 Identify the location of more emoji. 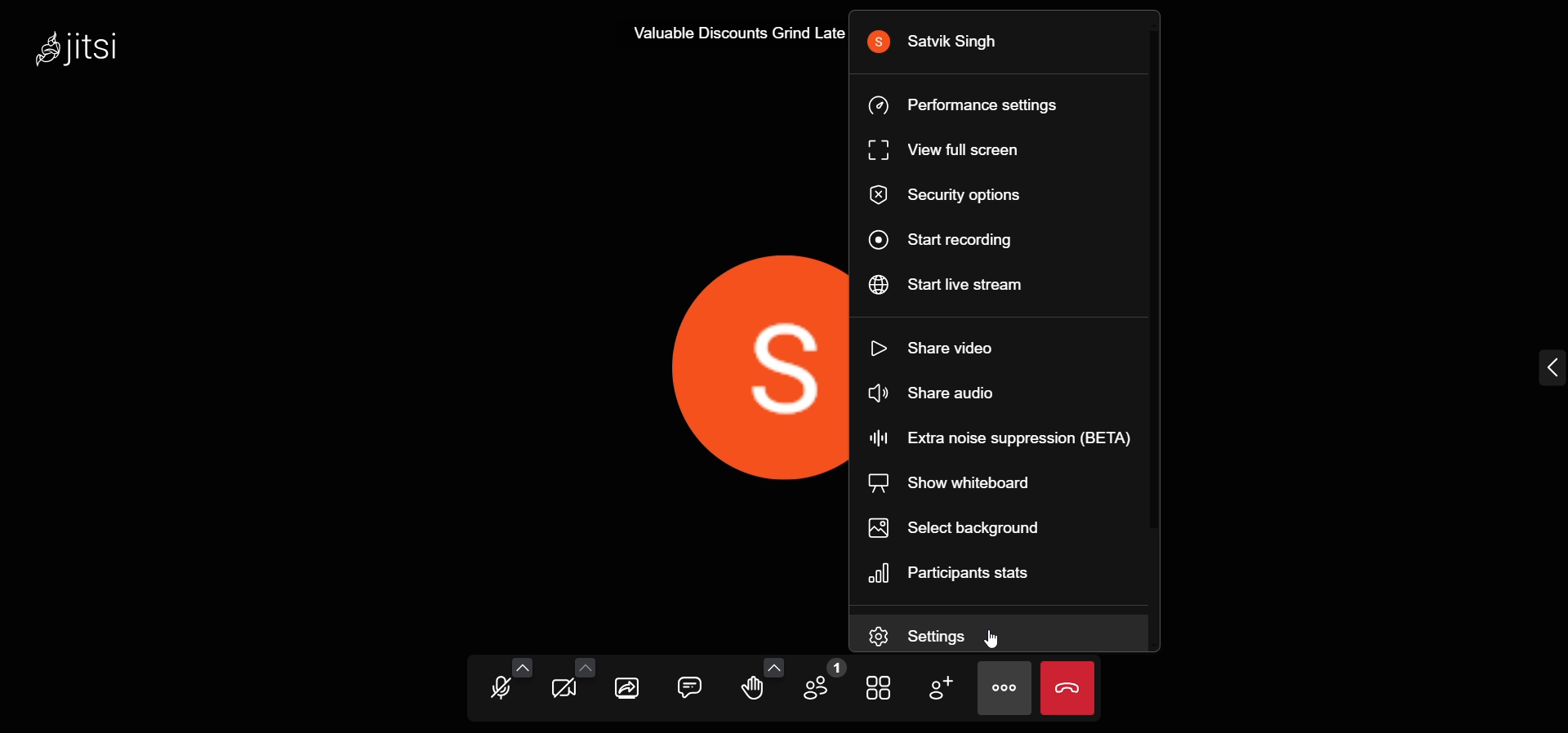
(773, 667).